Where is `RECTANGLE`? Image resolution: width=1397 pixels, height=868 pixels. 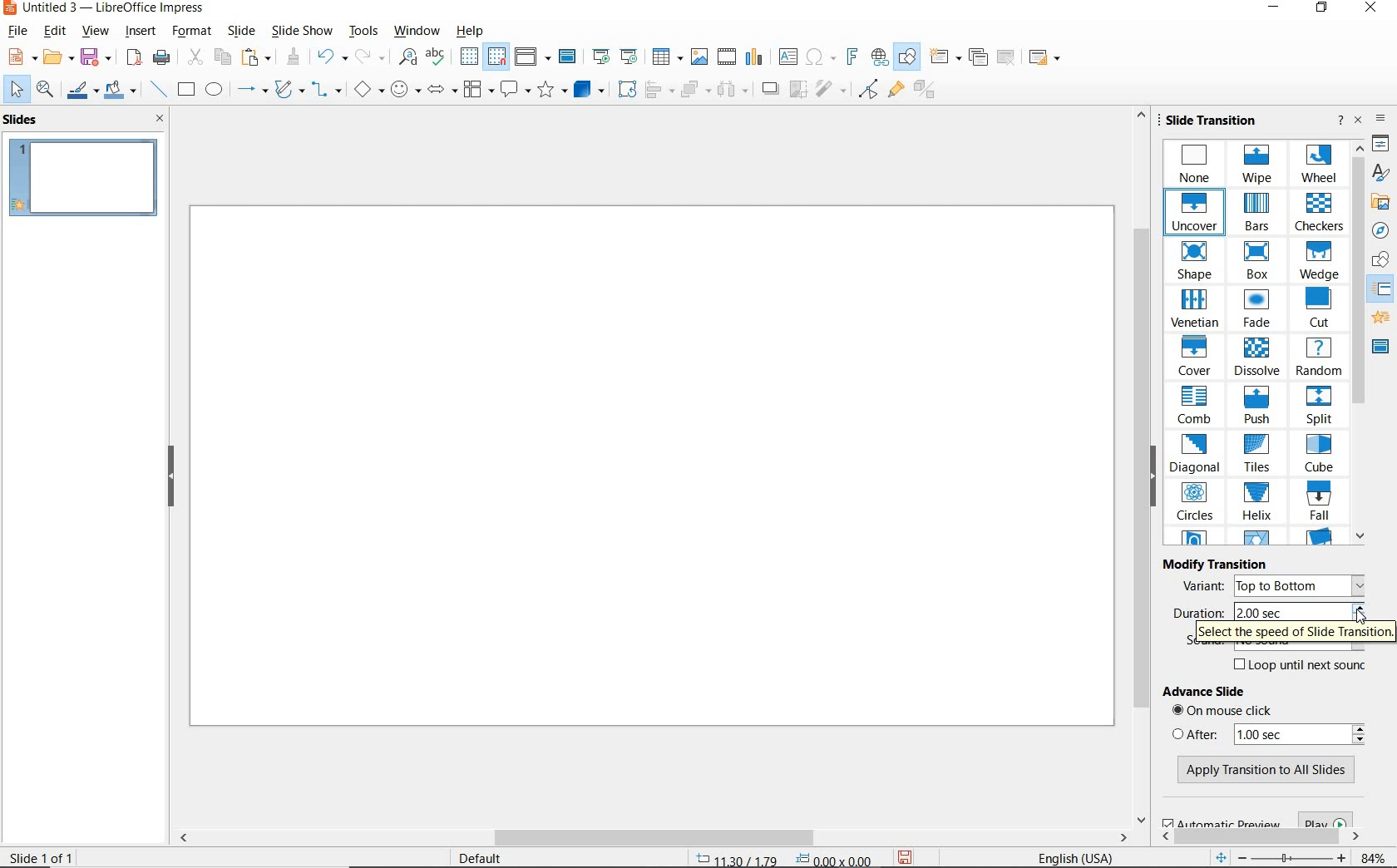
RECTANGLE is located at coordinates (186, 89).